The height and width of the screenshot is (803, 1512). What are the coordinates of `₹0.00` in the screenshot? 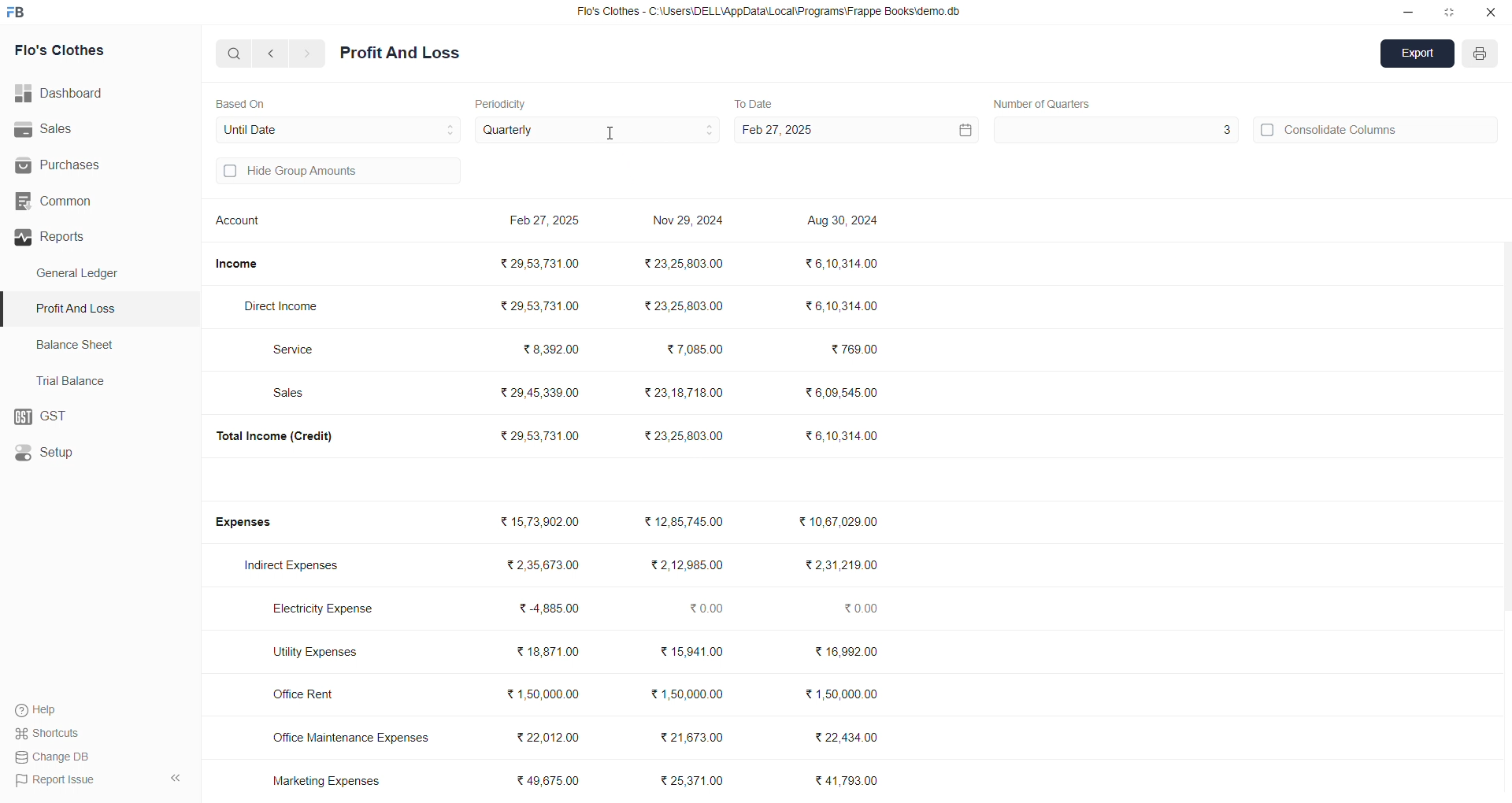 It's located at (866, 609).